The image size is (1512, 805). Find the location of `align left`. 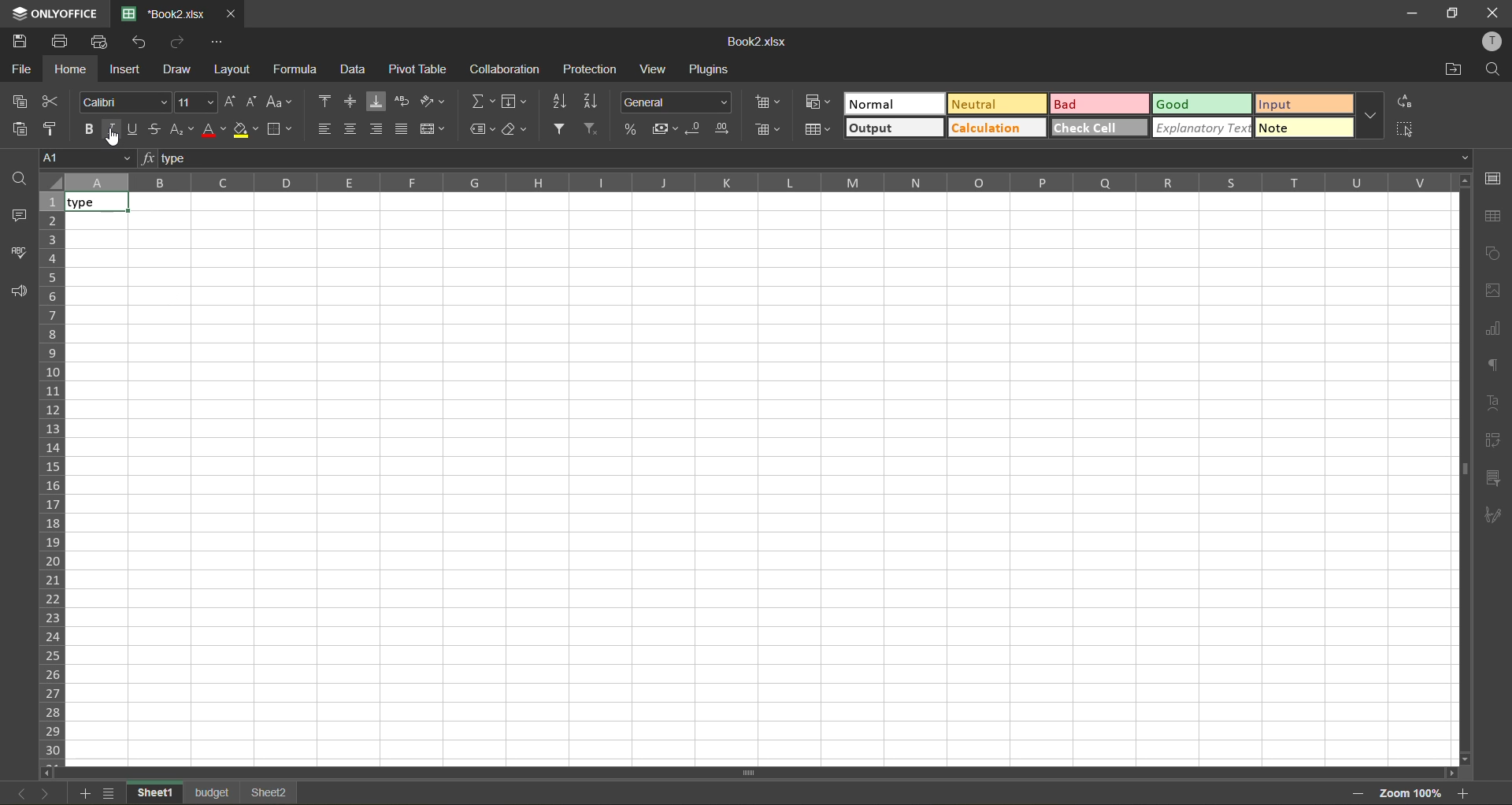

align left is located at coordinates (324, 128).